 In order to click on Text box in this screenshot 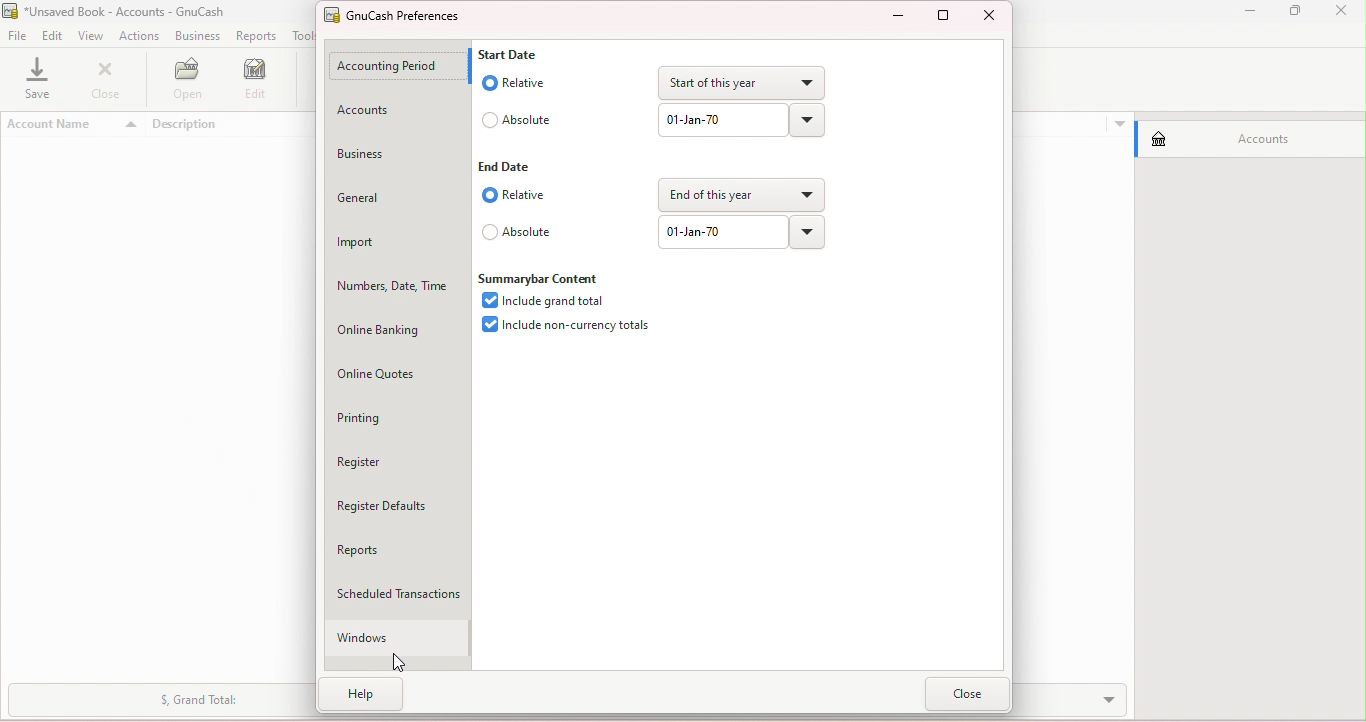, I will do `click(723, 124)`.